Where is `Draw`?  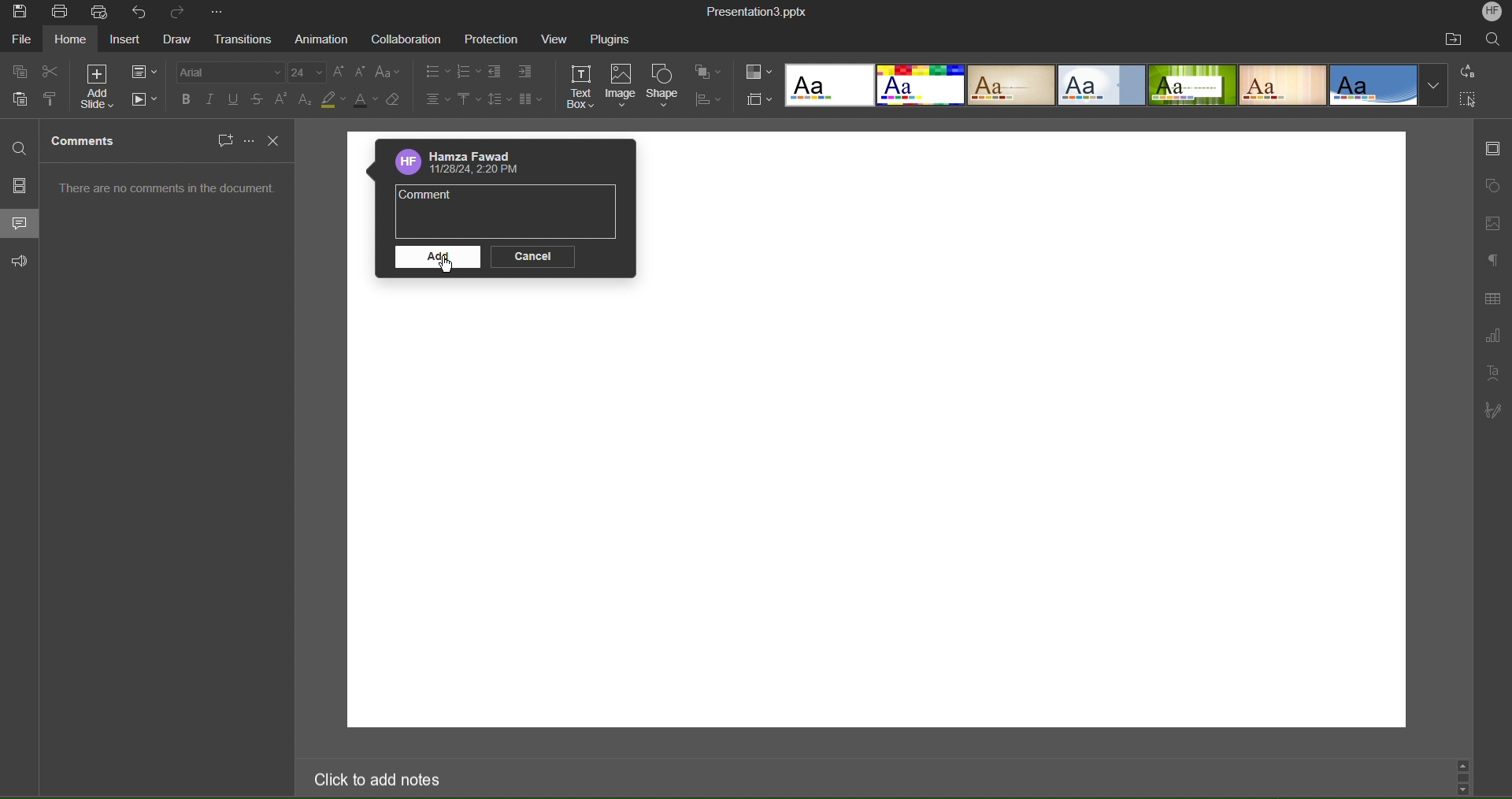 Draw is located at coordinates (176, 40).